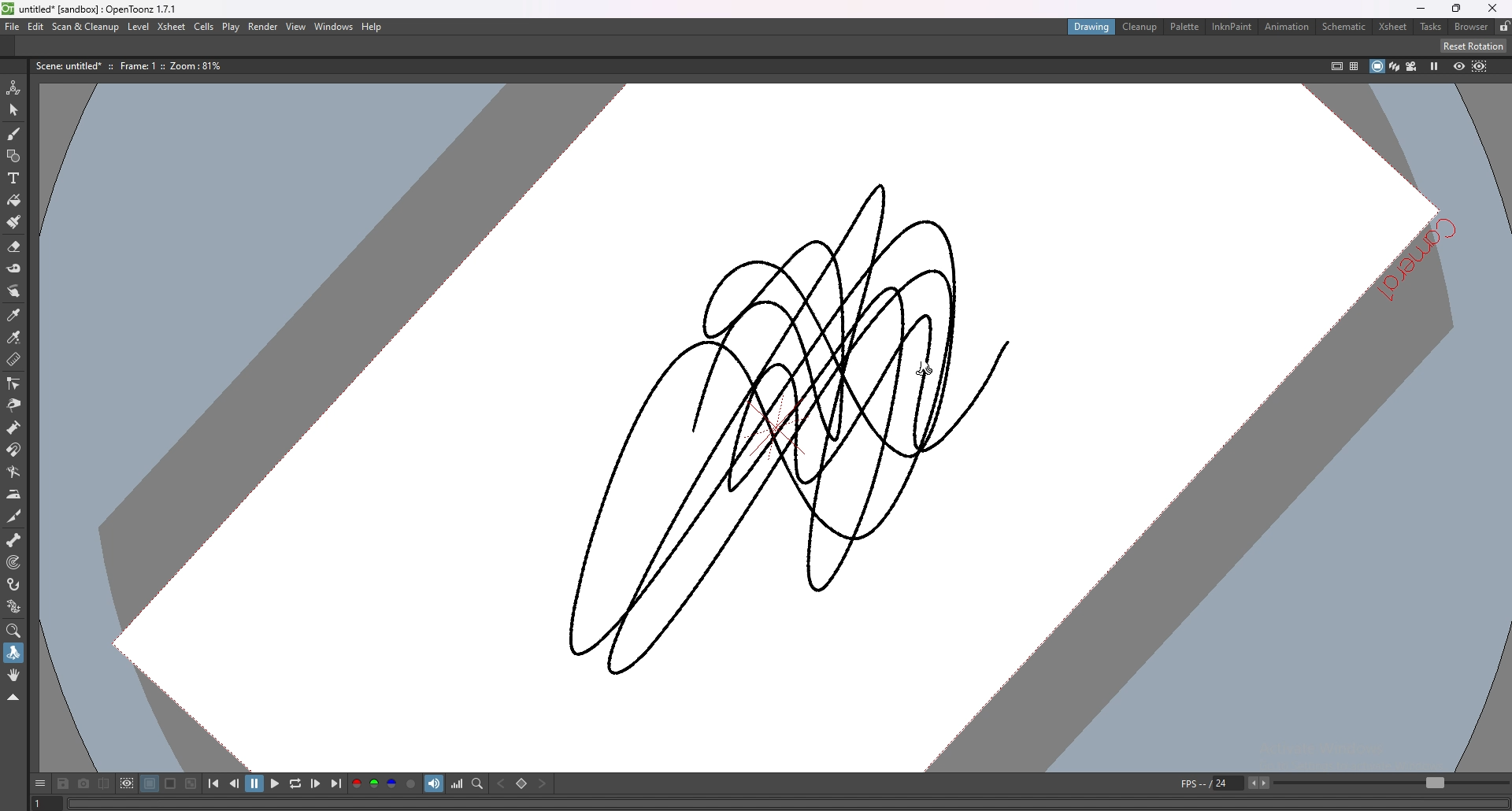 The image size is (1512, 811). I want to click on xsheet, so click(172, 26).